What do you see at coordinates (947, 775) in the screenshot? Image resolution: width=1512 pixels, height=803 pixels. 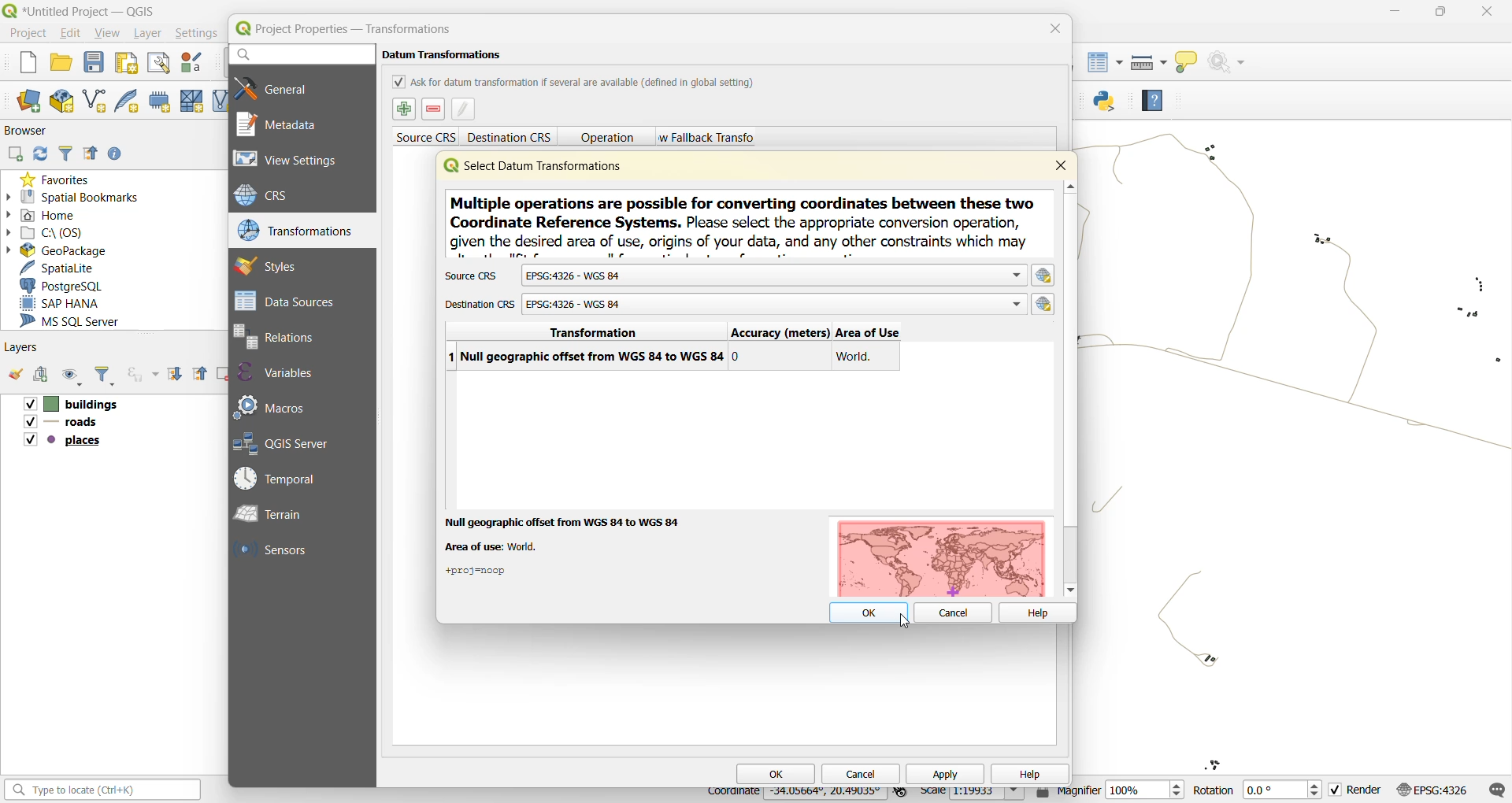 I see `apply` at bounding box center [947, 775].